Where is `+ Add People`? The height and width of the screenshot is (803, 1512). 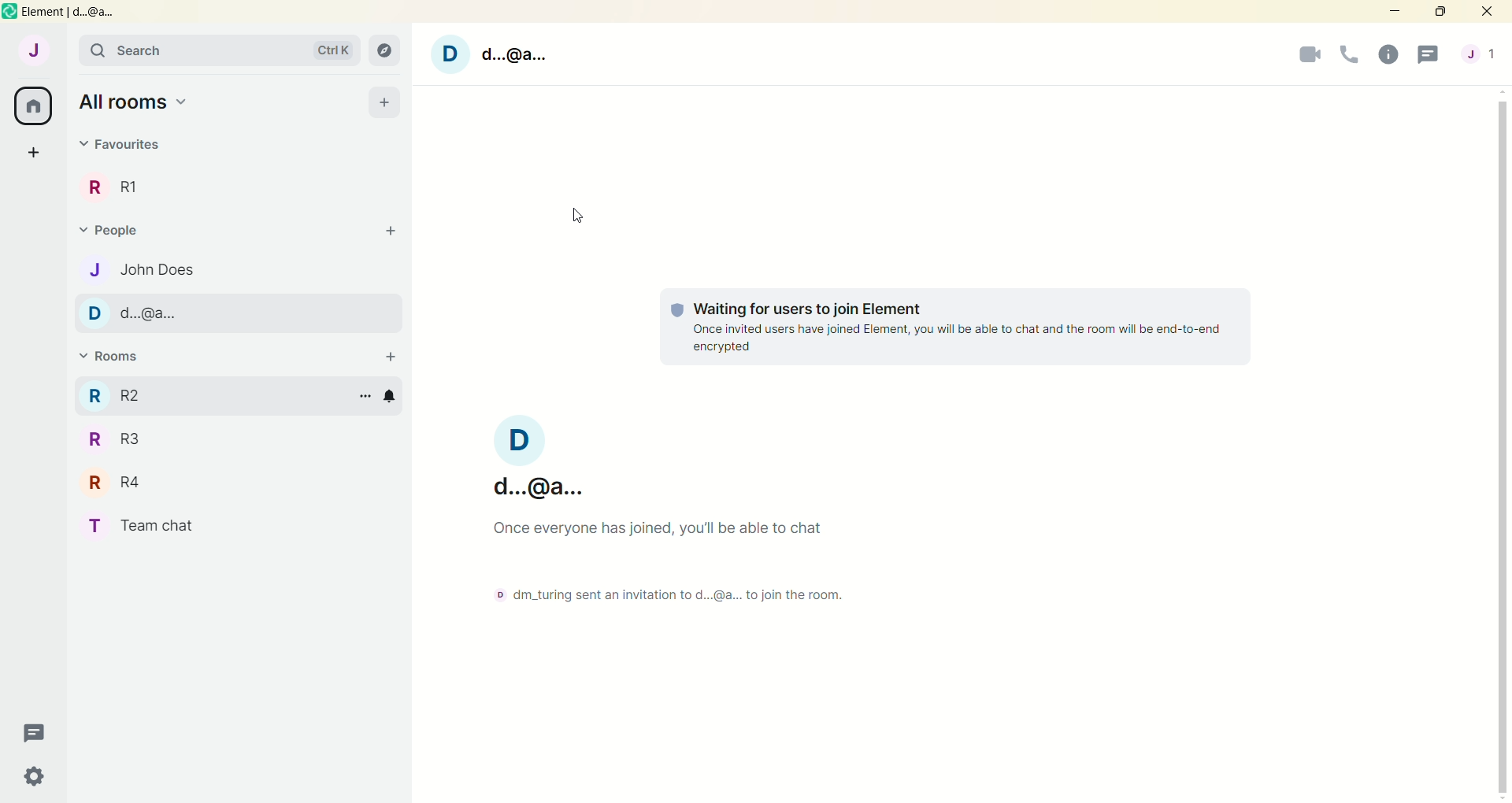
+ Add People is located at coordinates (386, 235).